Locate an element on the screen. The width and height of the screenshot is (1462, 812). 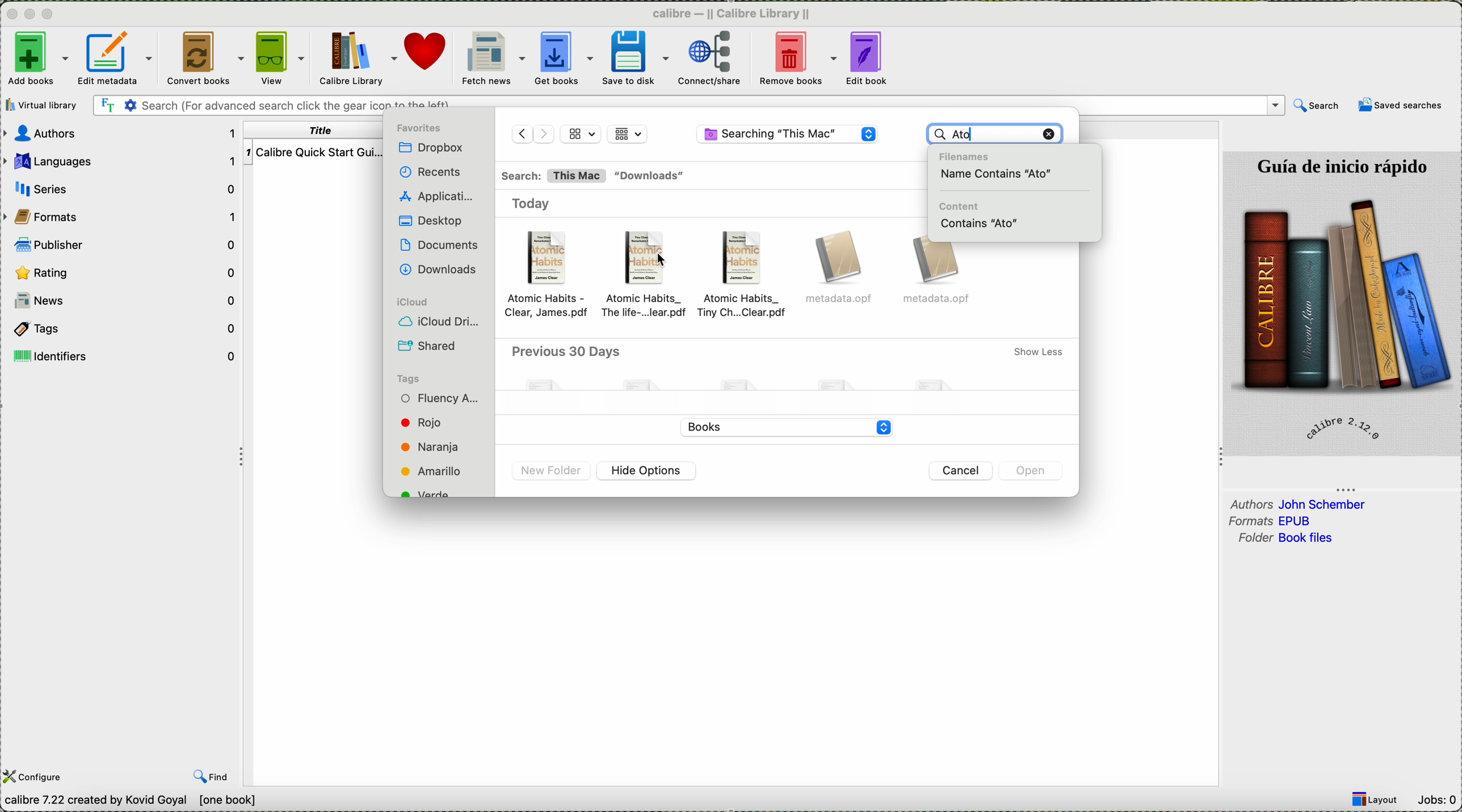
file is located at coordinates (552, 276).